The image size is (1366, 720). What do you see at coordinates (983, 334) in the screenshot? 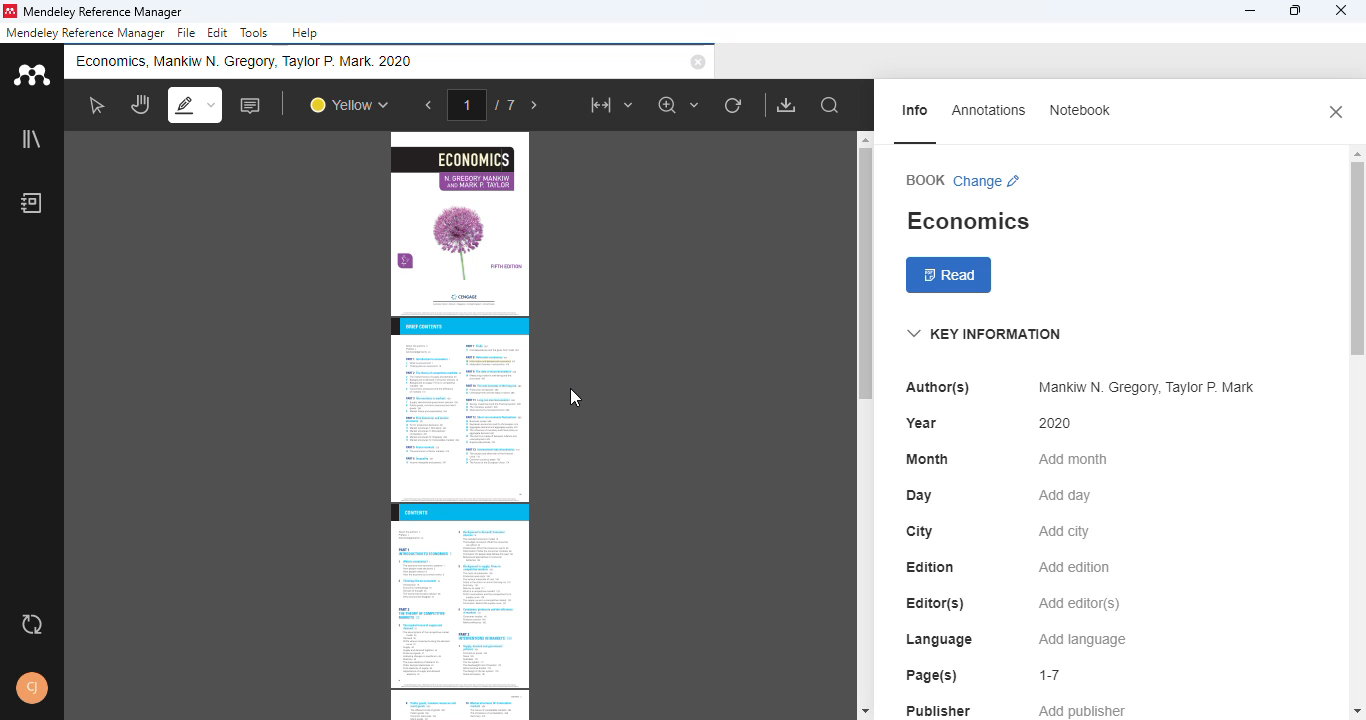
I see `key information` at bounding box center [983, 334].